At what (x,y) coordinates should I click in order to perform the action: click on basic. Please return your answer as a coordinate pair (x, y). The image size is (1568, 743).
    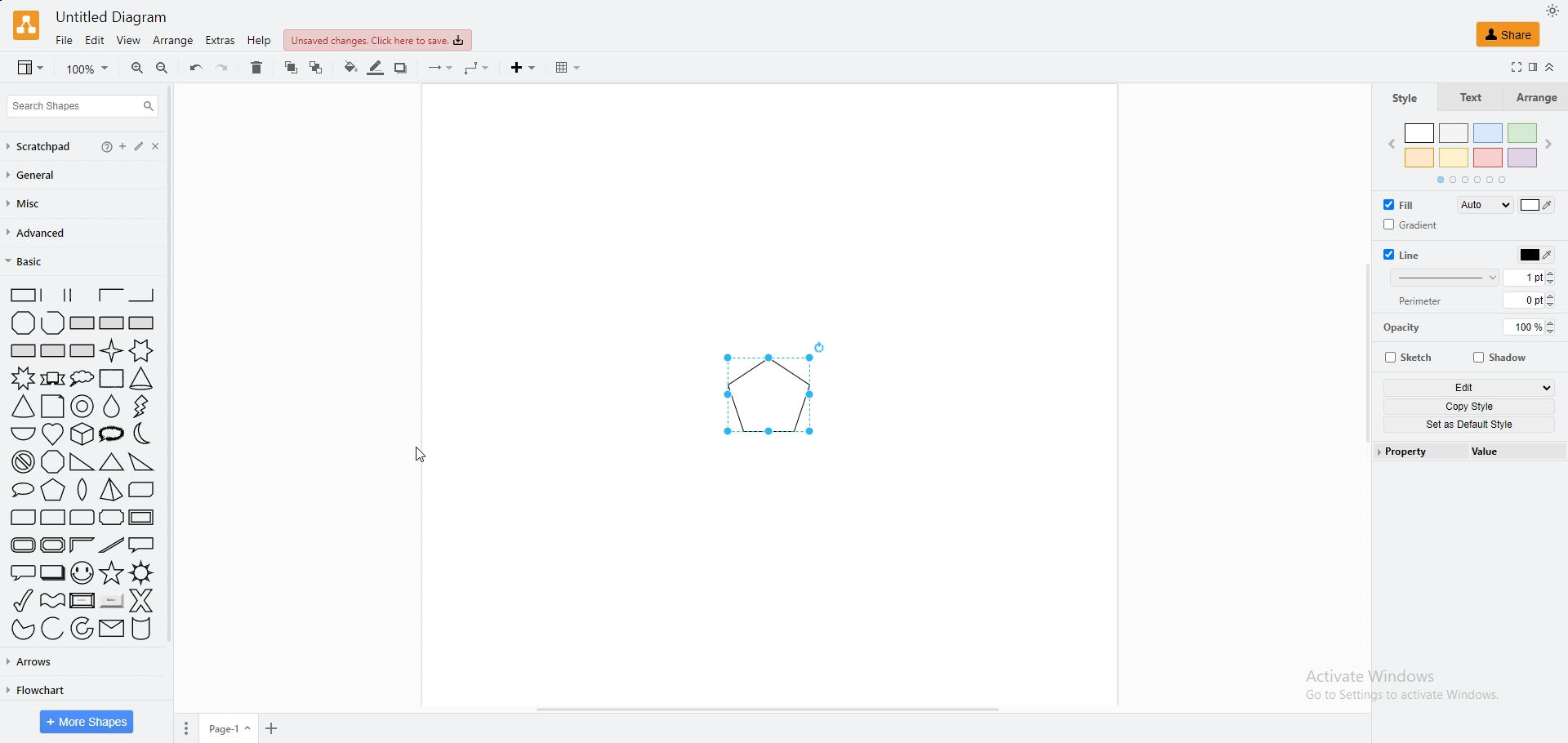
    Looking at the image, I should click on (42, 261).